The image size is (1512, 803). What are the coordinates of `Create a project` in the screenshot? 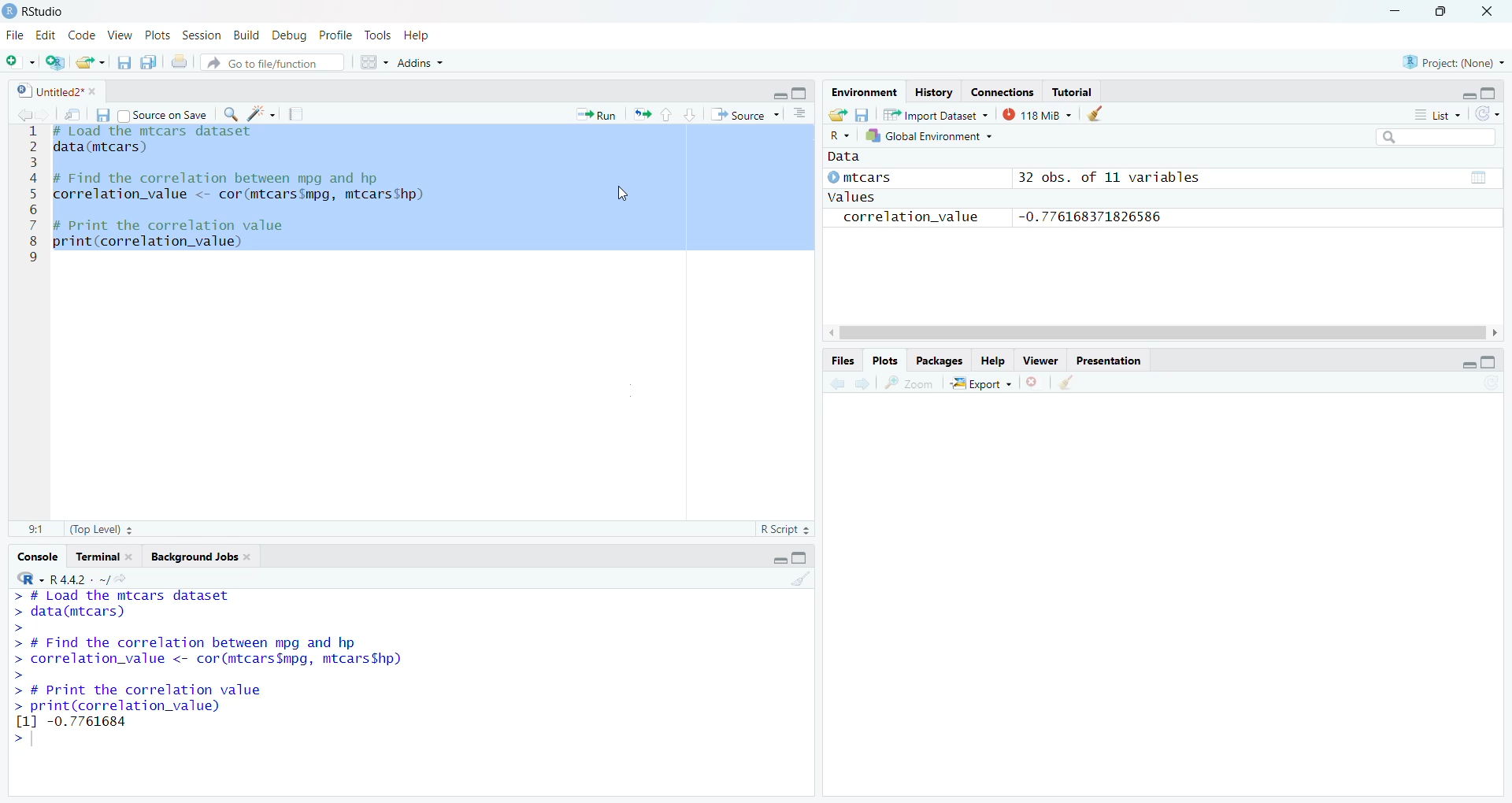 It's located at (56, 63).